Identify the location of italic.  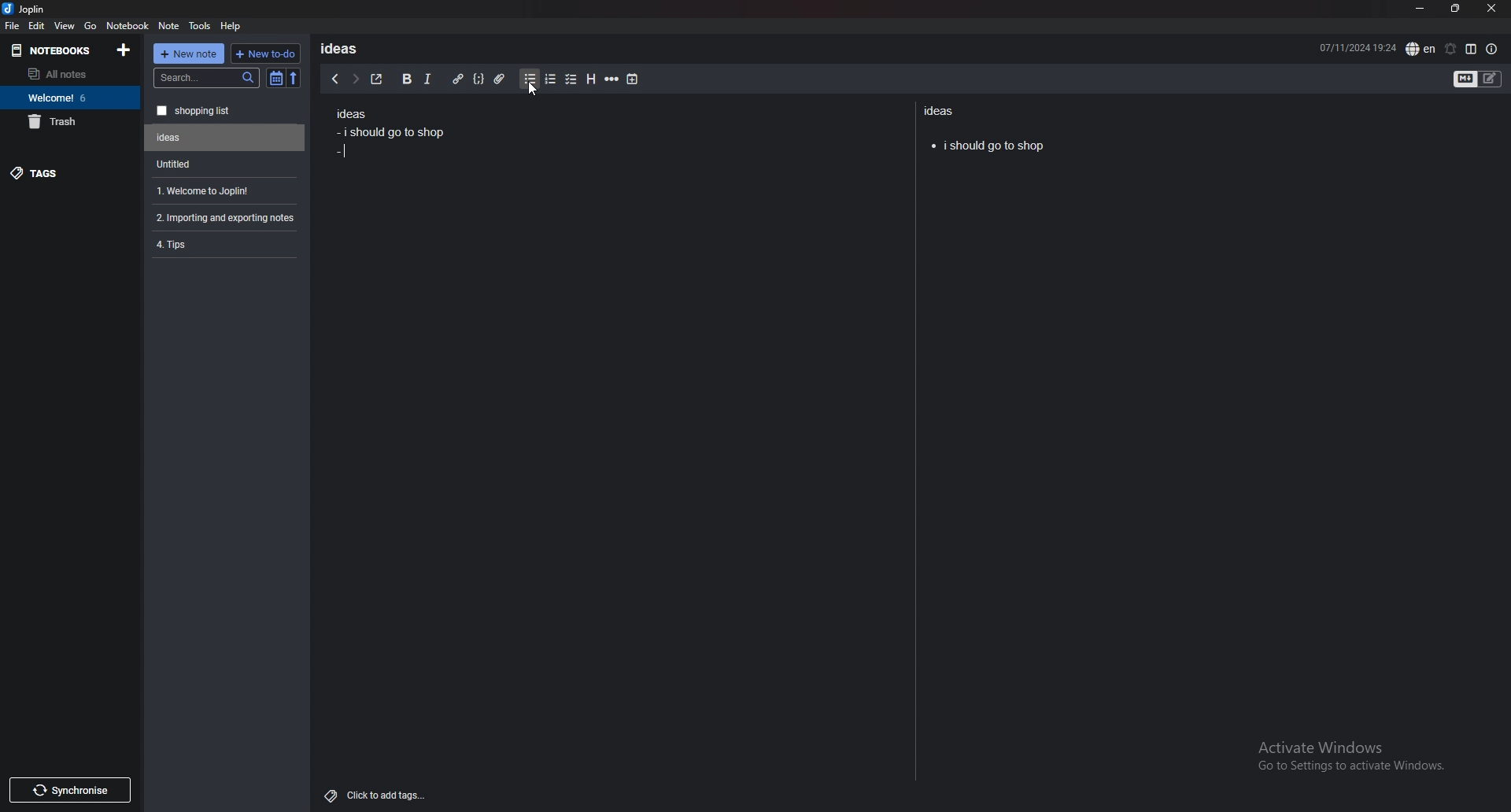
(427, 79).